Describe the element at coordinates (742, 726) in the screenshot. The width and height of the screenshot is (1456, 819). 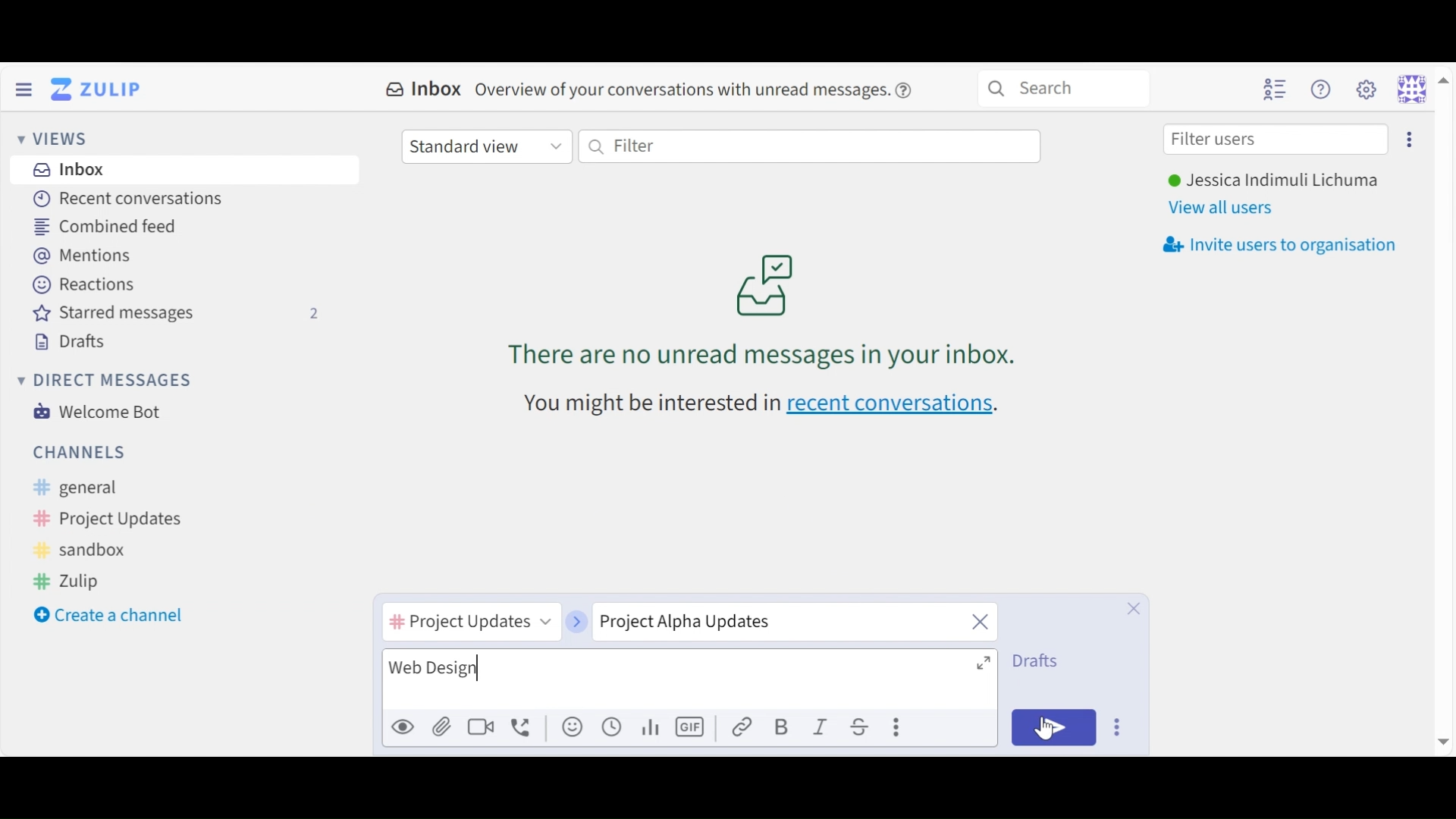
I see `link` at that location.